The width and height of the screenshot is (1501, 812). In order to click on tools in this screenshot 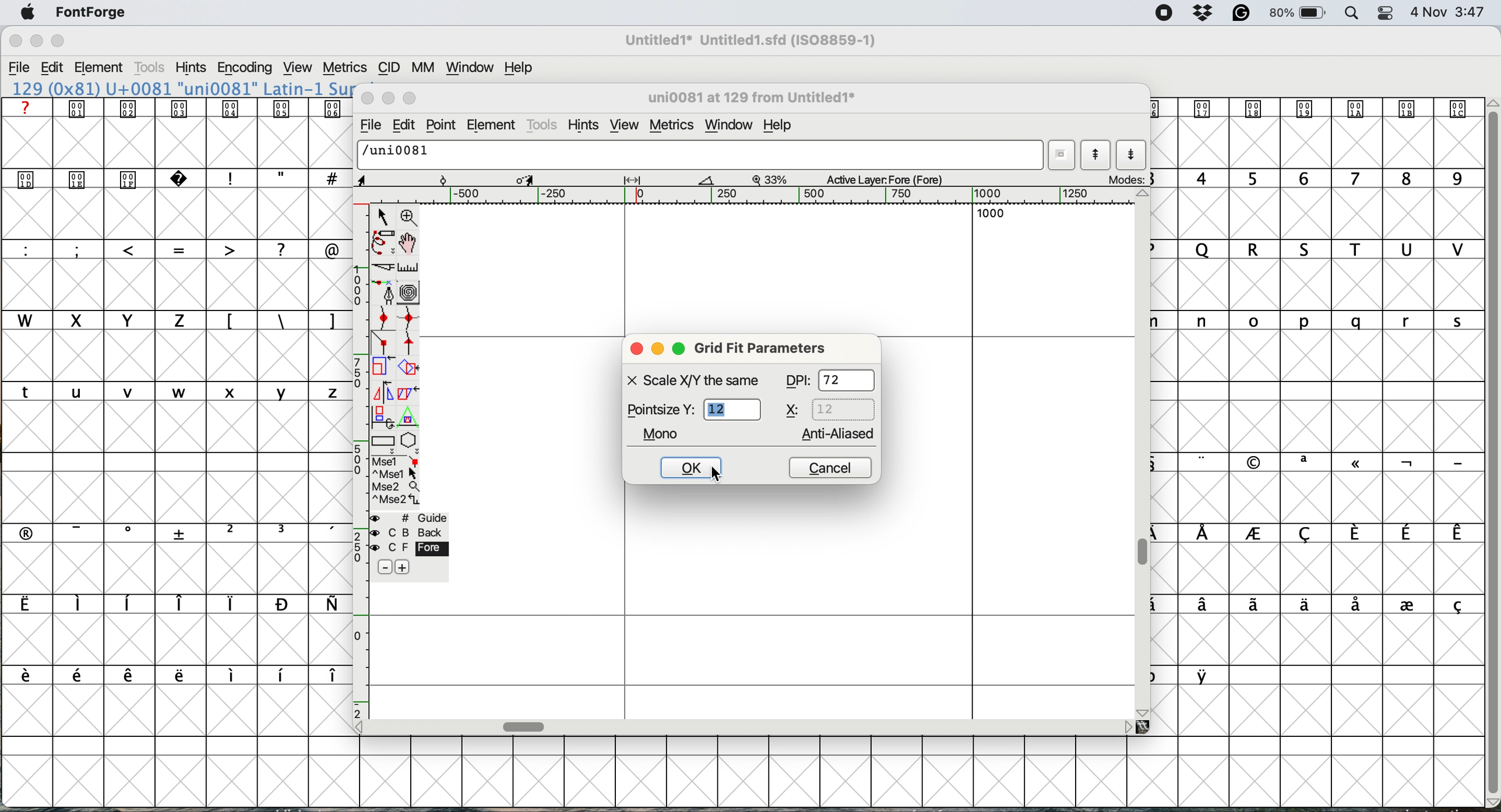, I will do `click(544, 125)`.